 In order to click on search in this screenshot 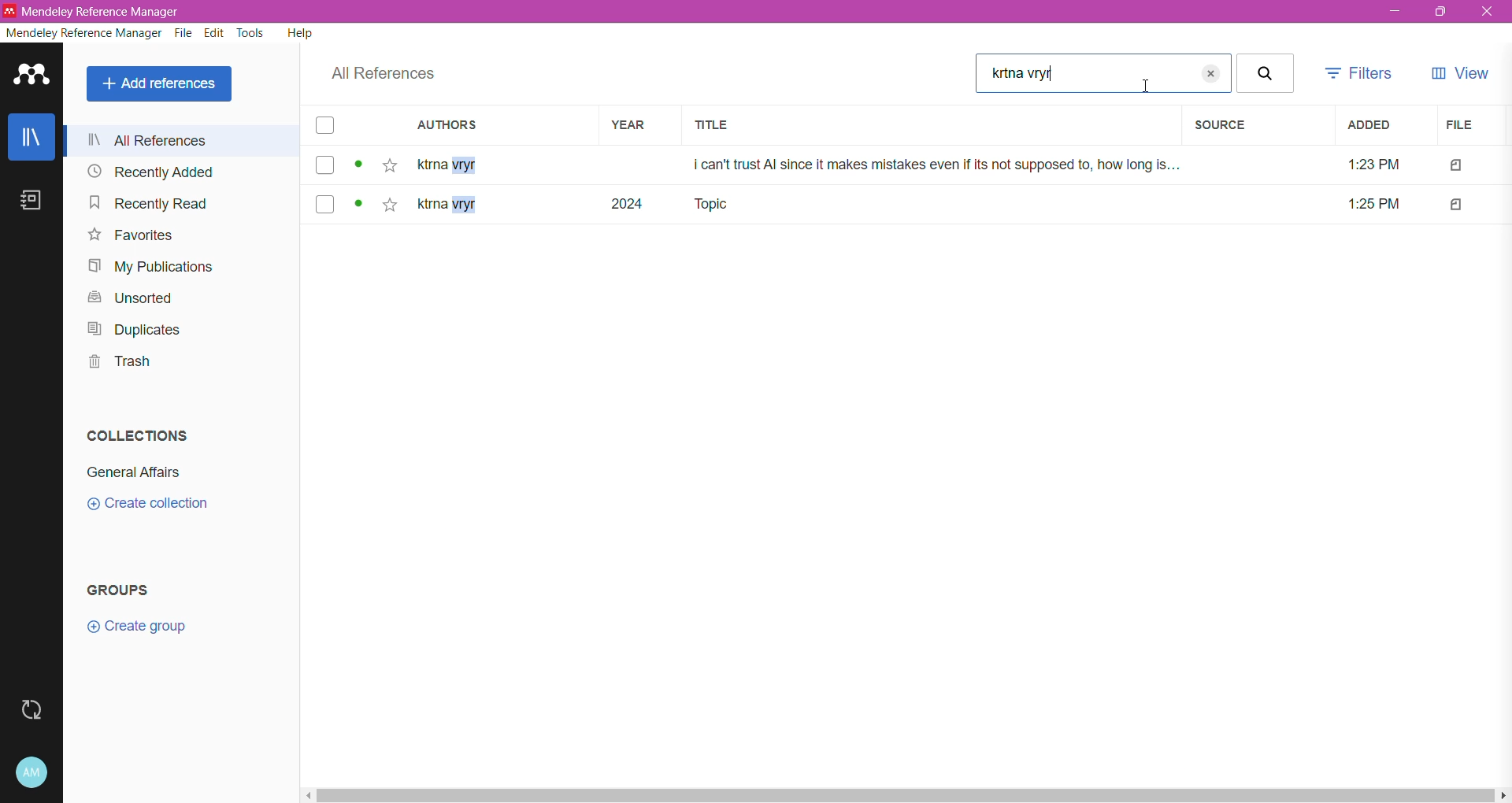, I will do `click(1264, 72)`.